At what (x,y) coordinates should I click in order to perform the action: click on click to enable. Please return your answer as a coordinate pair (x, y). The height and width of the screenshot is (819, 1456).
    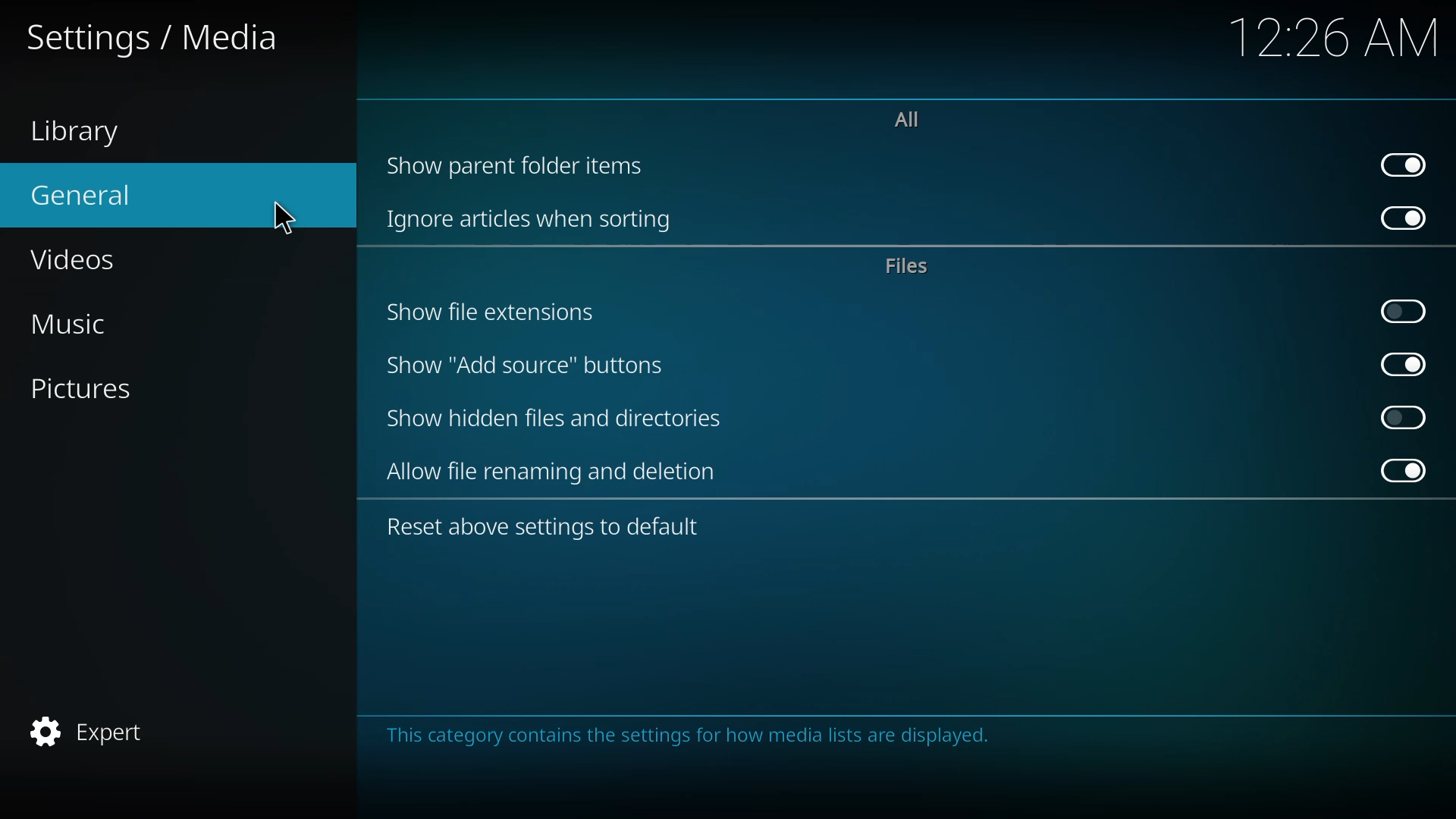
    Looking at the image, I should click on (1404, 415).